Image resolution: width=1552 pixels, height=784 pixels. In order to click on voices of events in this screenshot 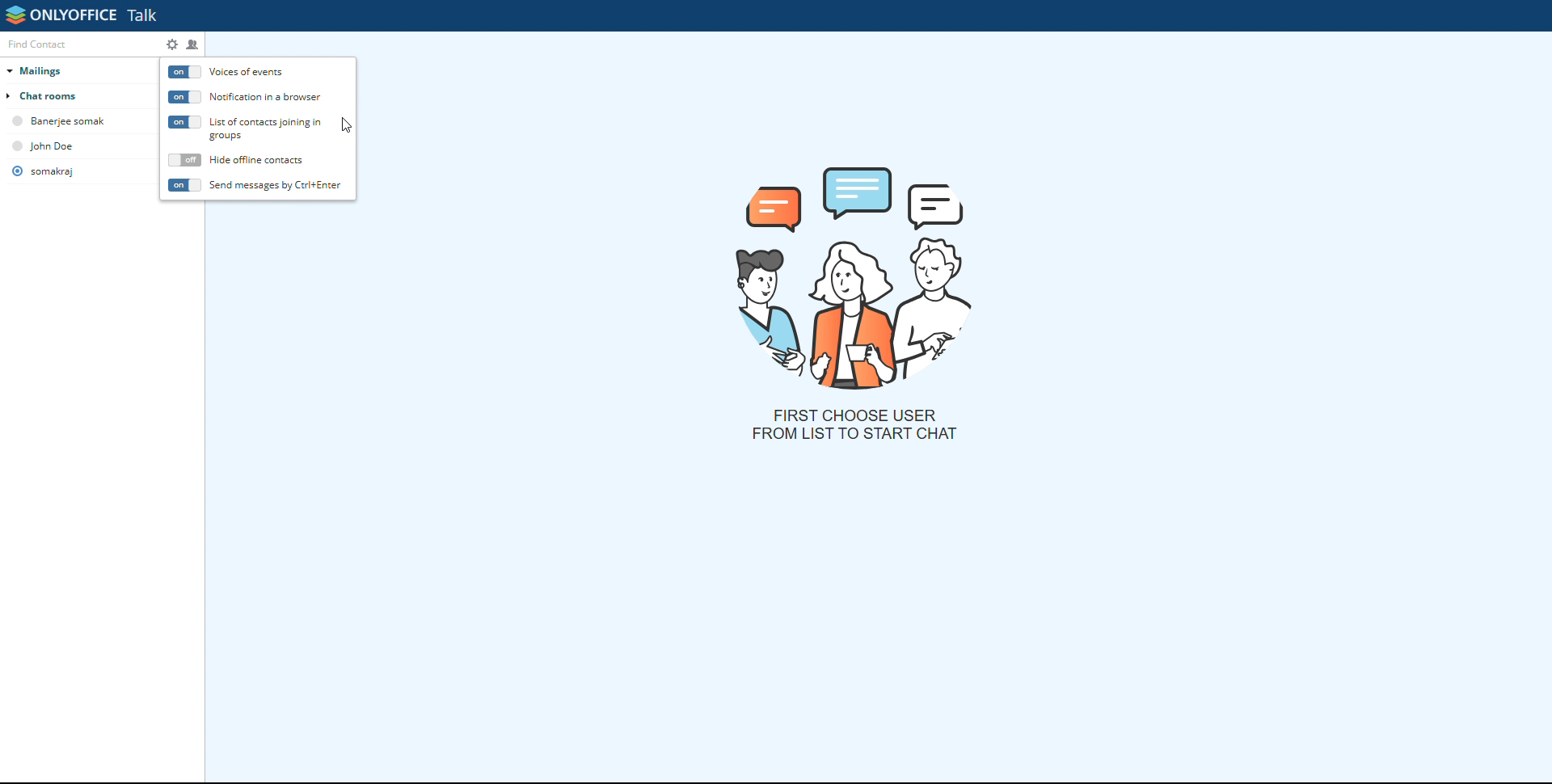, I will do `click(184, 72)`.